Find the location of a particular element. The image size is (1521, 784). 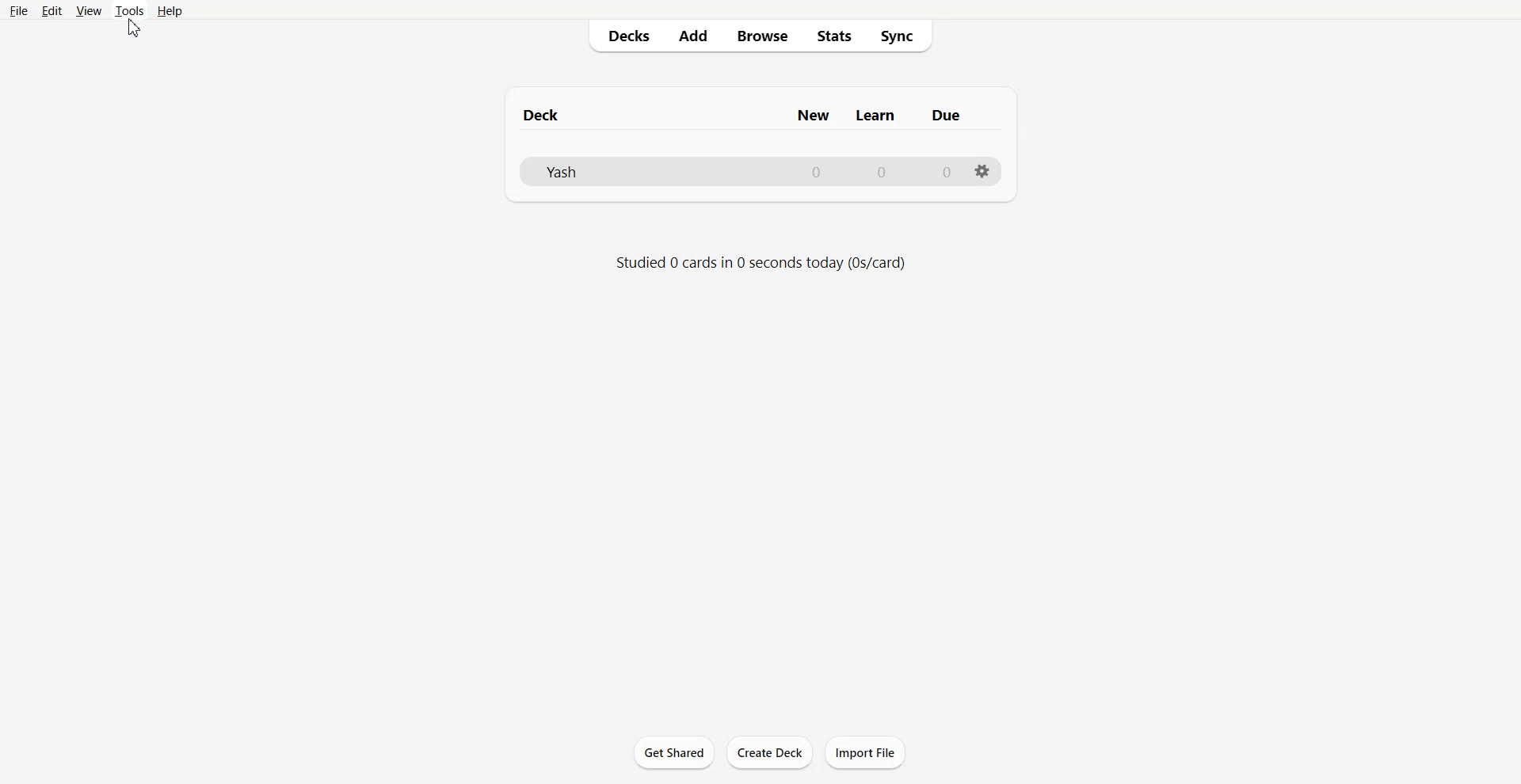

Browse is located at coordinates (761, 36).